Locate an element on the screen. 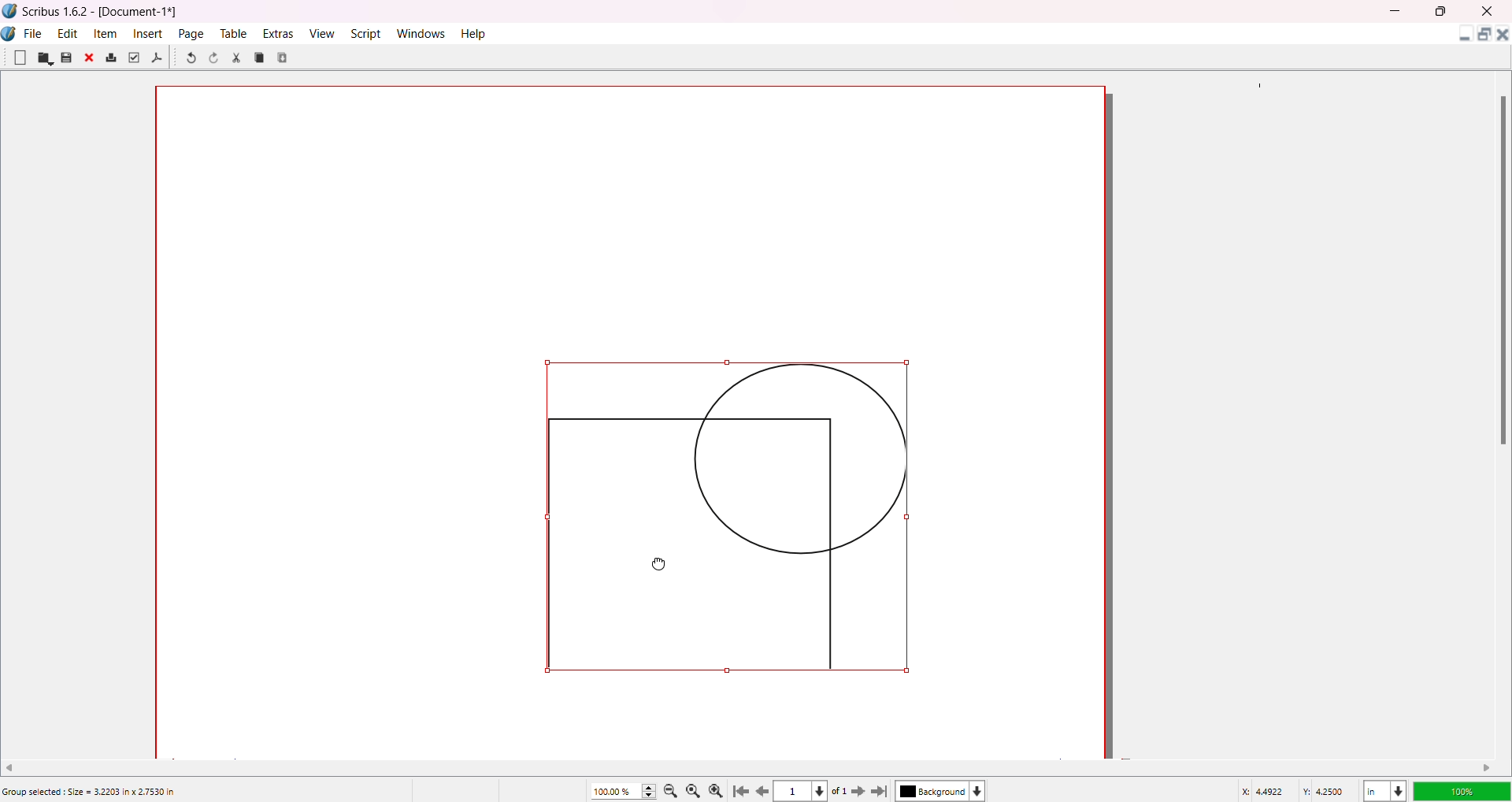 This screenshot has height=802, width=1512. Minimize Document is located at coordinates (1461, 37).